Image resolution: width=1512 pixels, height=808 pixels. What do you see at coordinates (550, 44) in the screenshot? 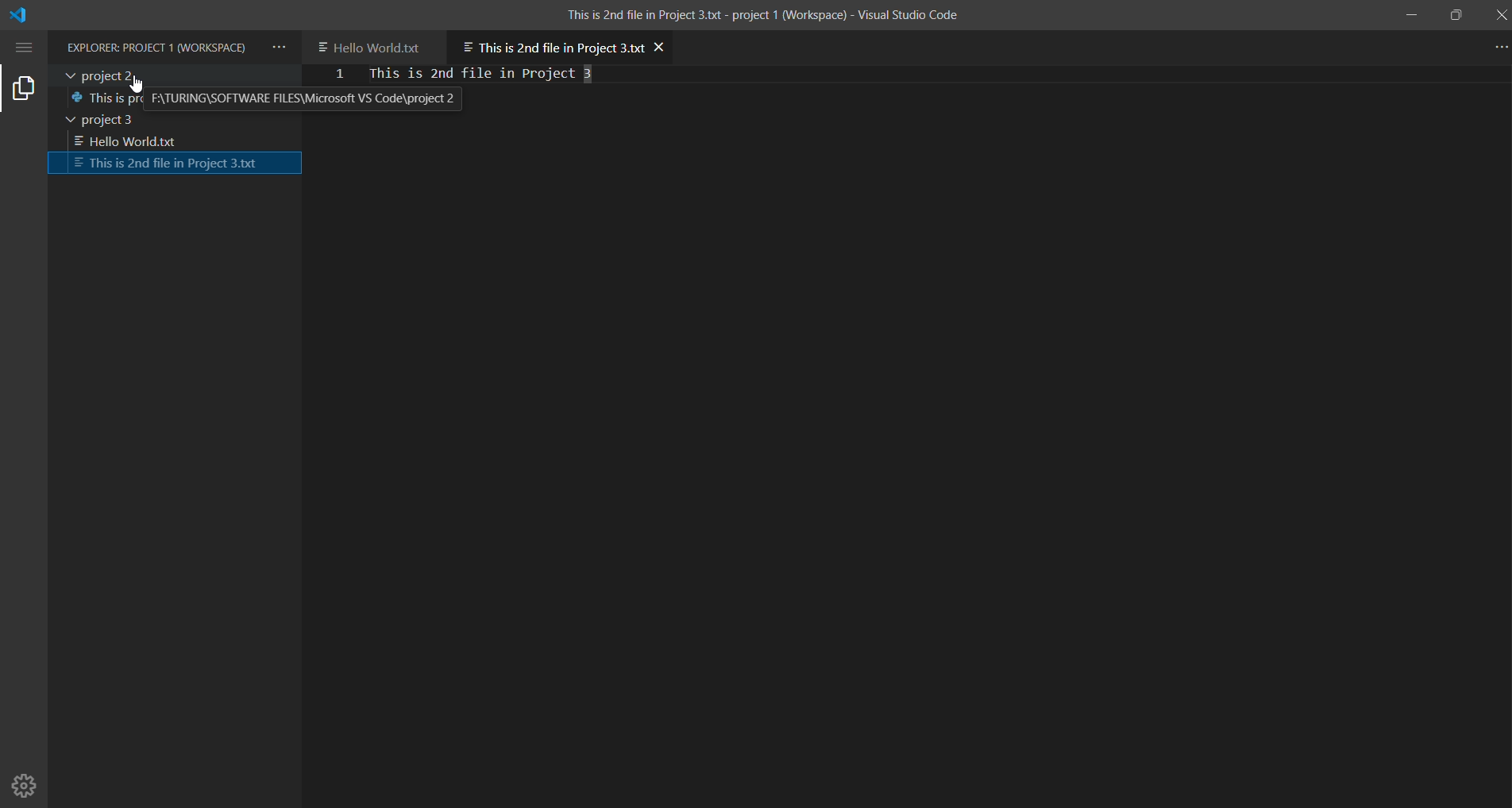
I see `current open file` at bounding box center [550, 44].